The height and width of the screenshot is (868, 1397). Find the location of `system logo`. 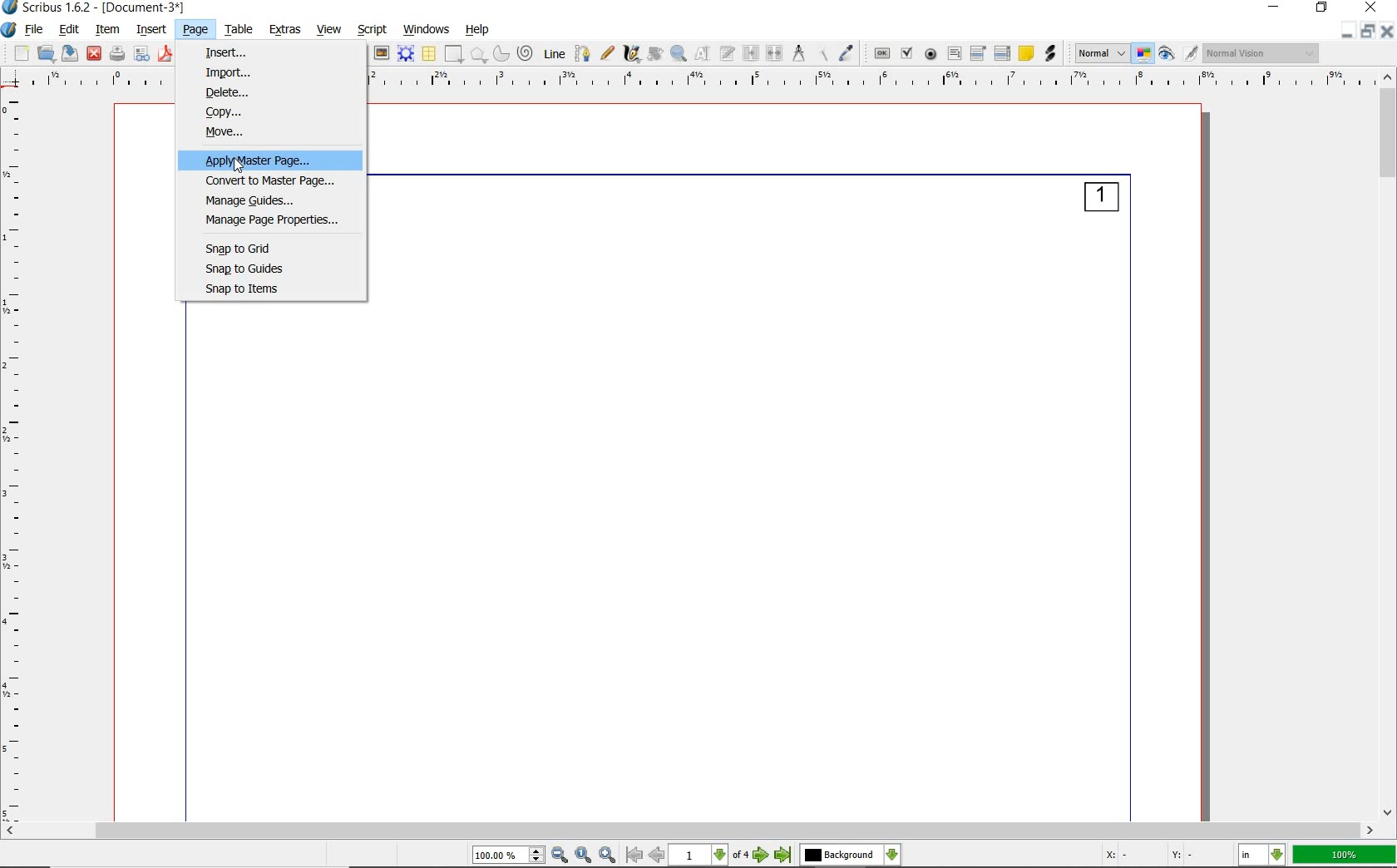

system logo is located at coordinates (9, 31).